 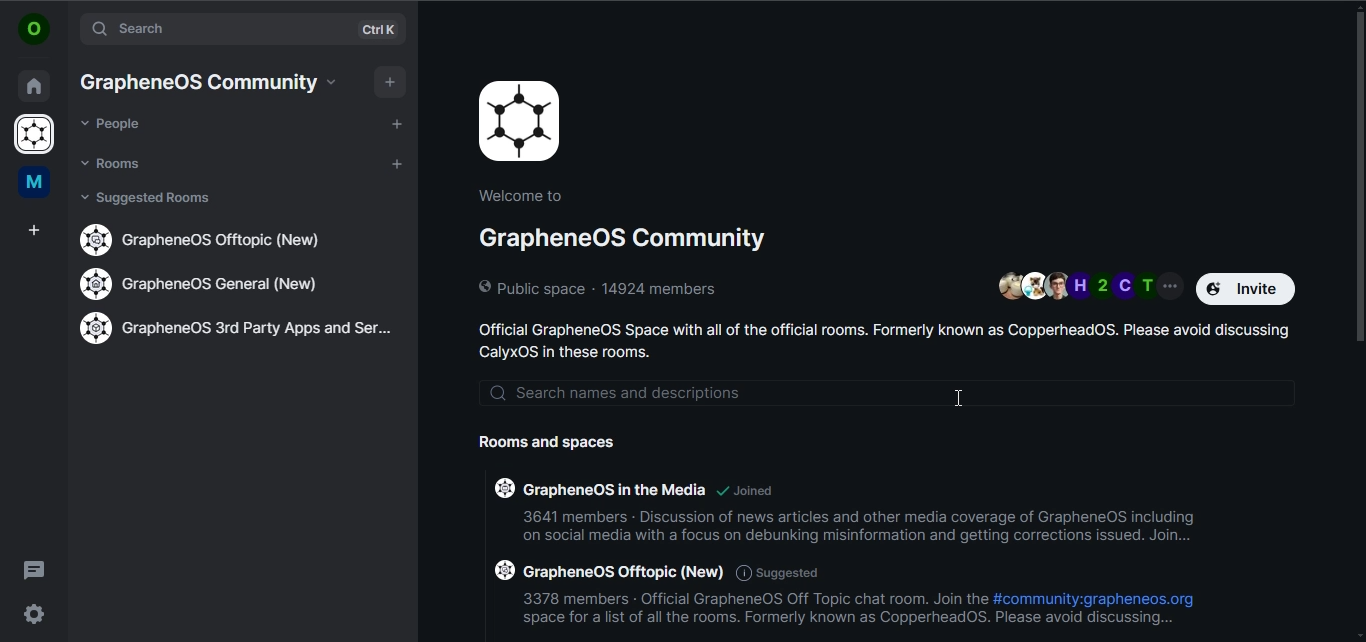 What do you see at coordinates (205, 239) in the screenshot?
I see `grapheneOS offtopic(New)` at bounding box center [205, 239].